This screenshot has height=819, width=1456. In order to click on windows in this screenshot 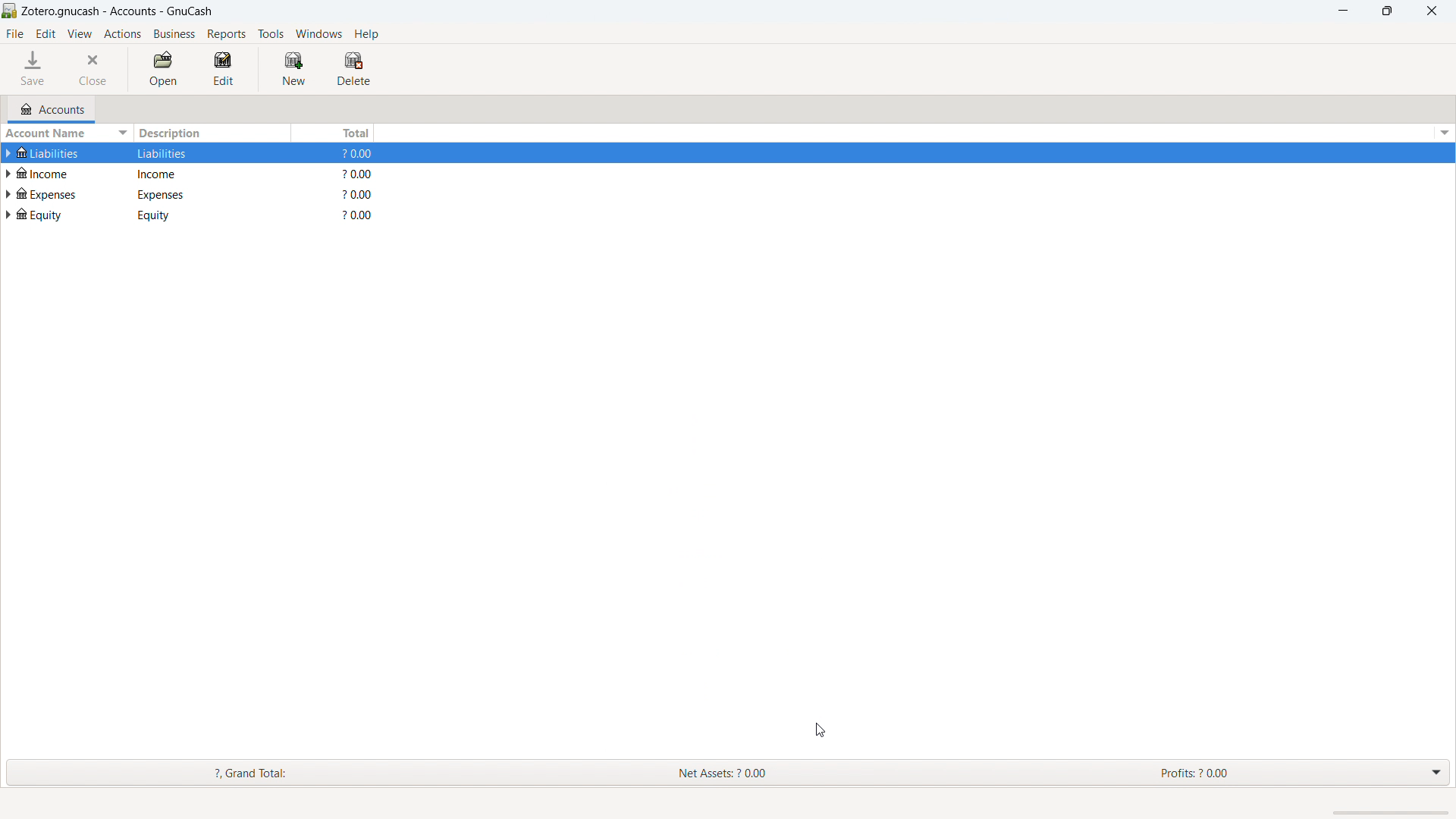, I will do `click(319, 33)`.